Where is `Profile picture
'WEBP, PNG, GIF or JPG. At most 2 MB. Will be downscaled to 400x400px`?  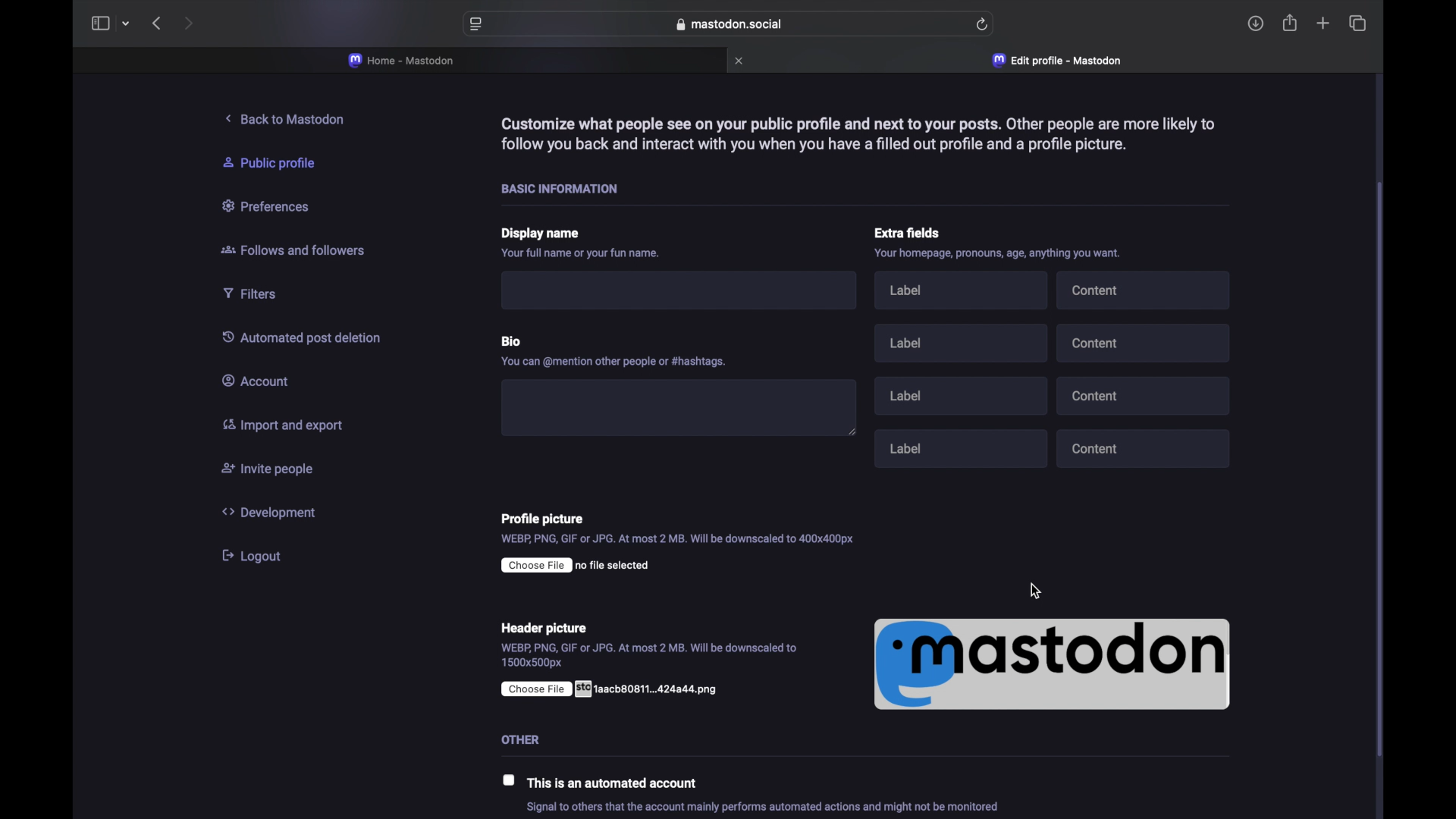
Profile picture
'WEBP, PNG, GIF or JPG. At most 2 MB. Will be downscaled to 400x400px is located at coordinates (705, 527).